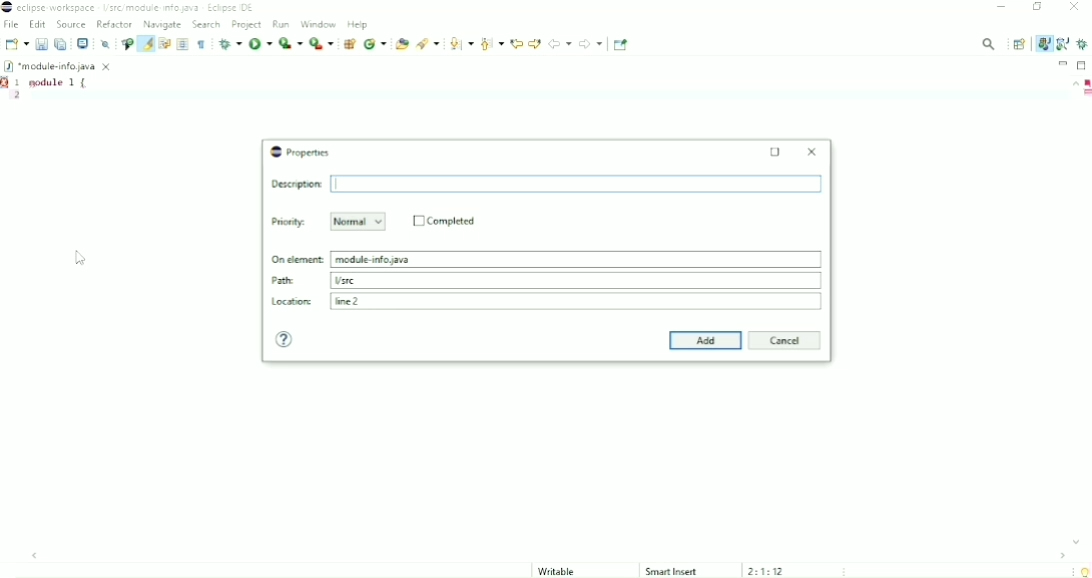 This screenshot has width=1092, height=578. I want to click on Writable, so click(565, 571).